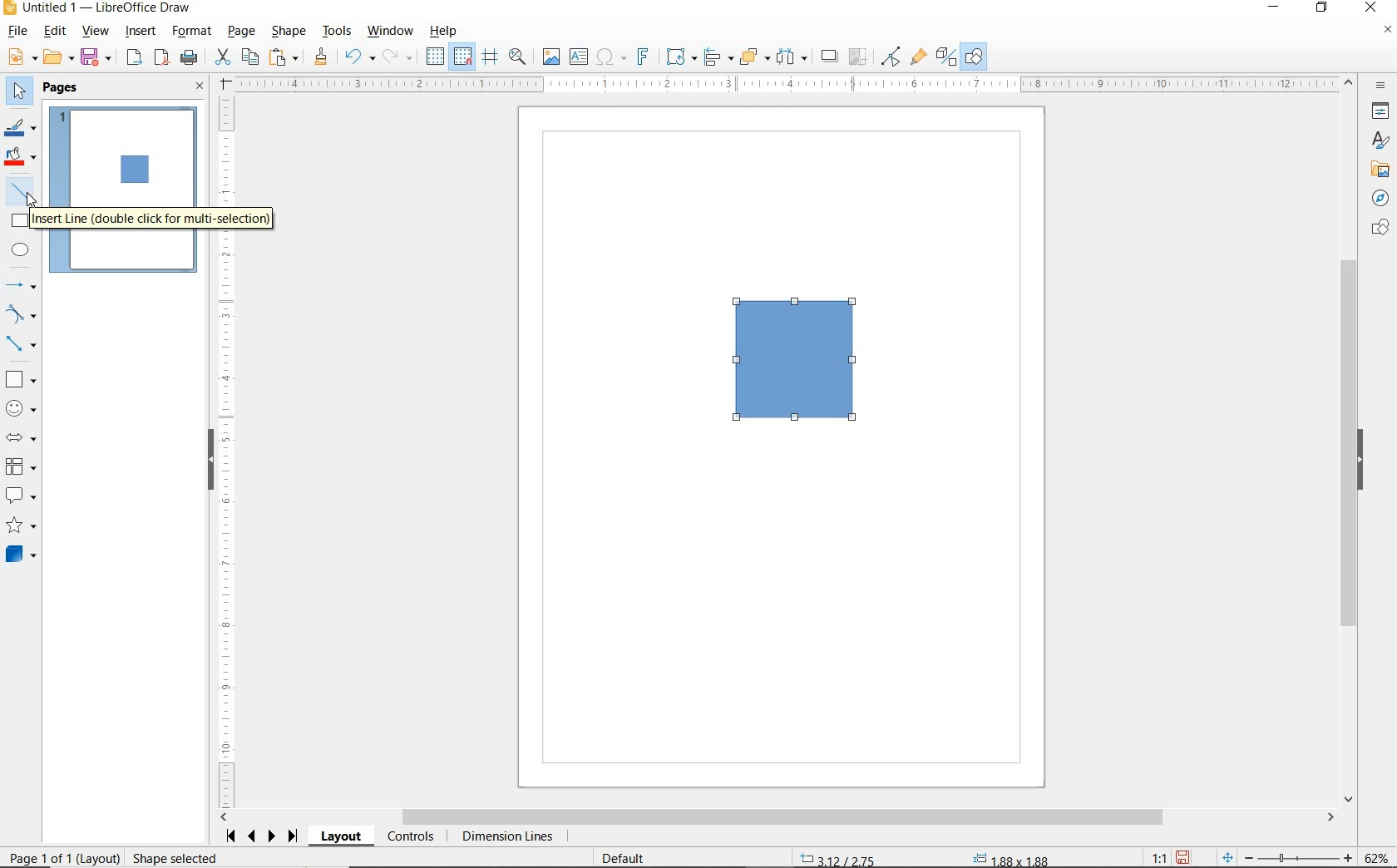 The image size is (1397, 868). Describe the element at coordinates (320, 57) in the screenshot. I see `CLONE FORMATTING` at that location.